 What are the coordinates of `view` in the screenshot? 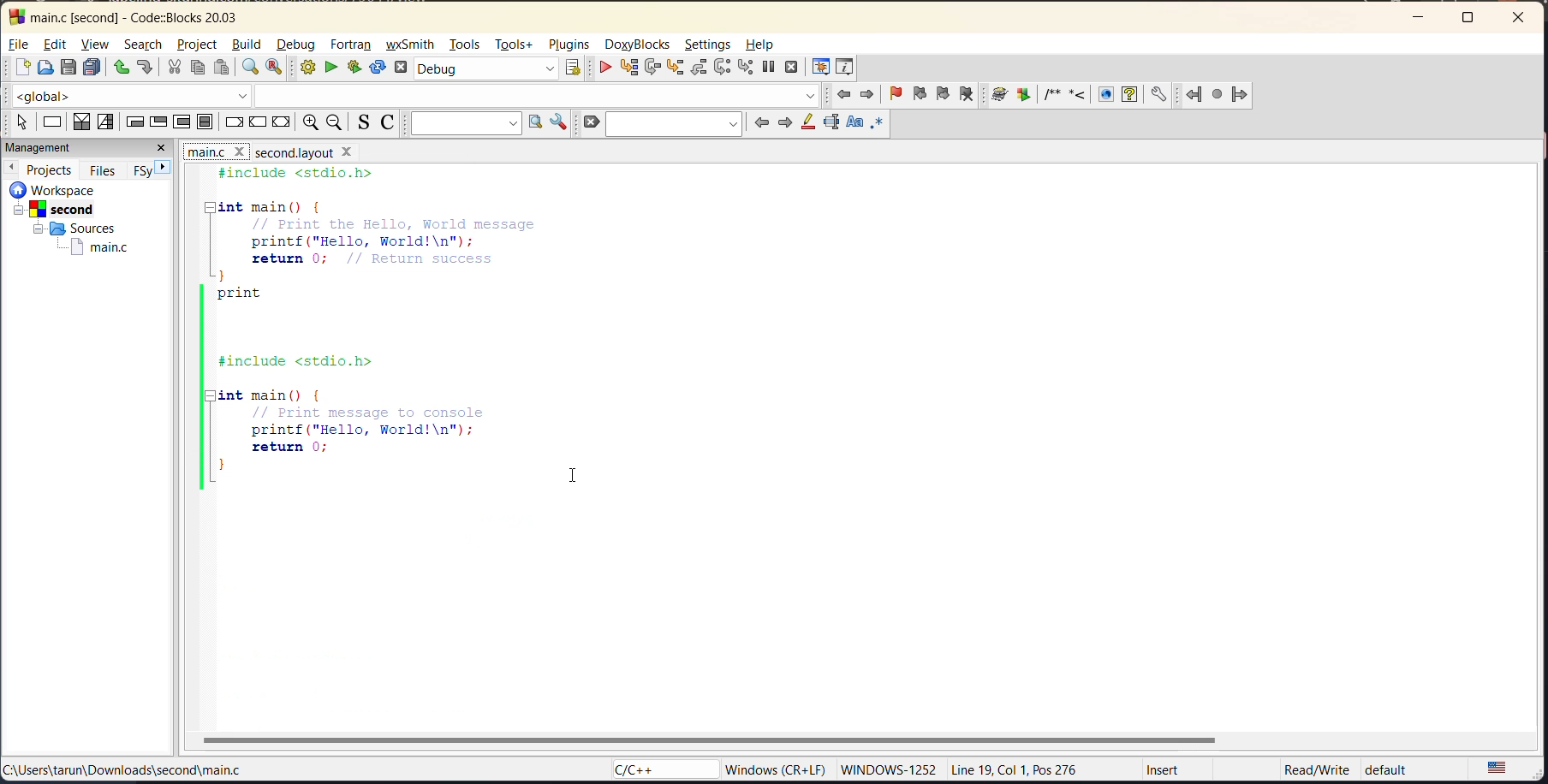 It's located at (97, 45).